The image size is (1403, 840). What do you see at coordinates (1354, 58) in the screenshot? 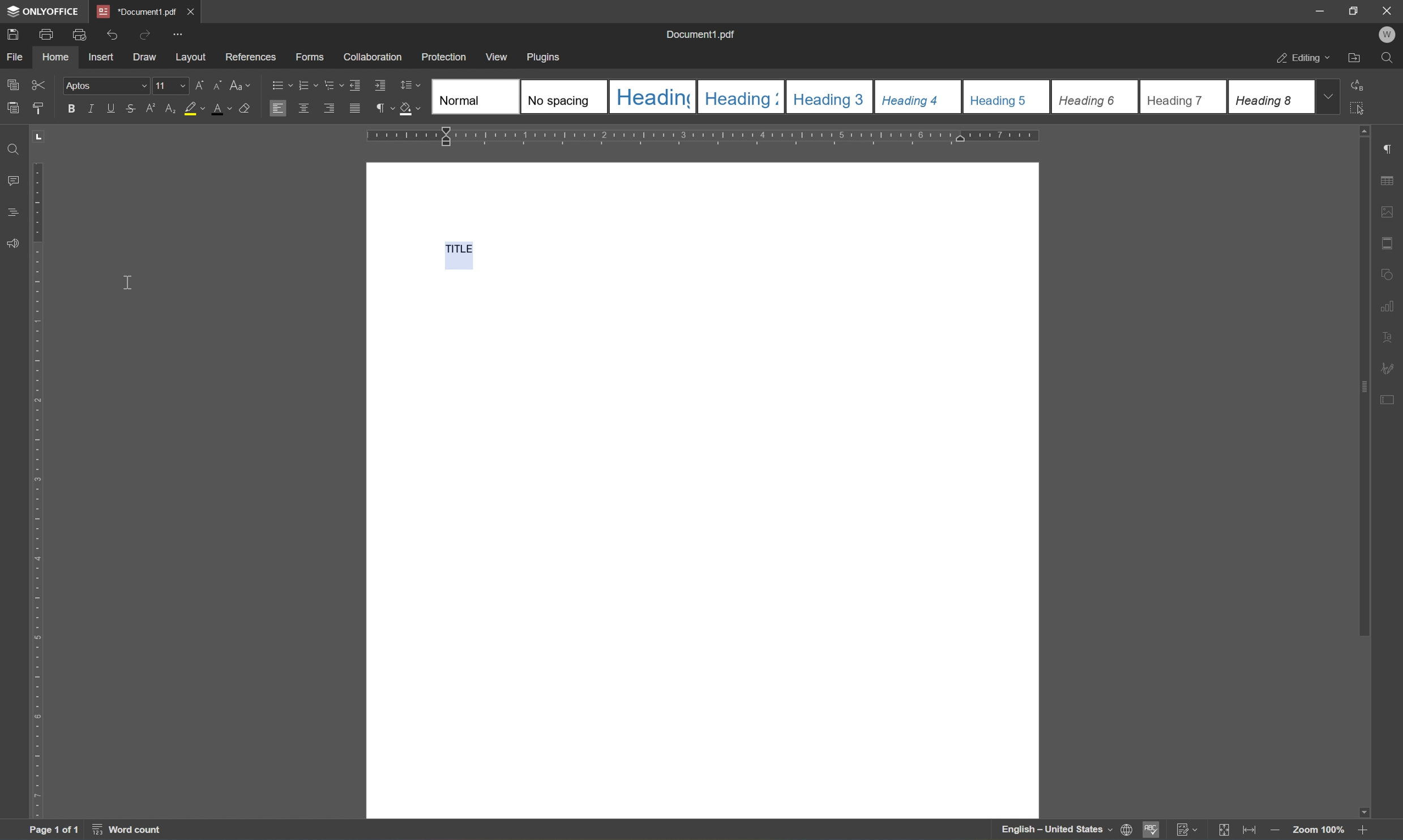
I see `open file location` at bounding box center [1354, 58].